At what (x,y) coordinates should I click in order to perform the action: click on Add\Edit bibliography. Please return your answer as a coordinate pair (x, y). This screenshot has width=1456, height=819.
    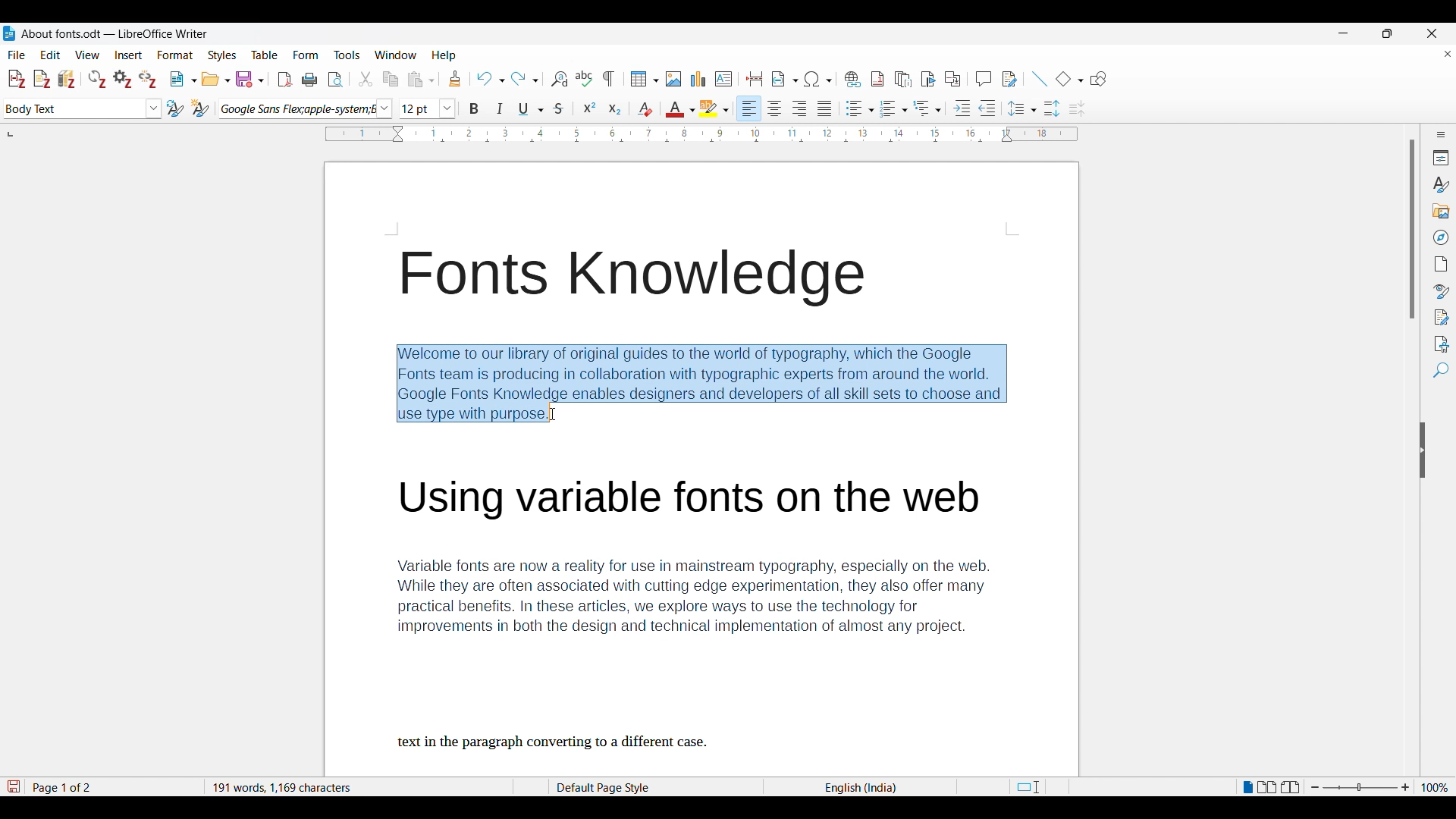
    Looking at the image, I should click on (67, 79).